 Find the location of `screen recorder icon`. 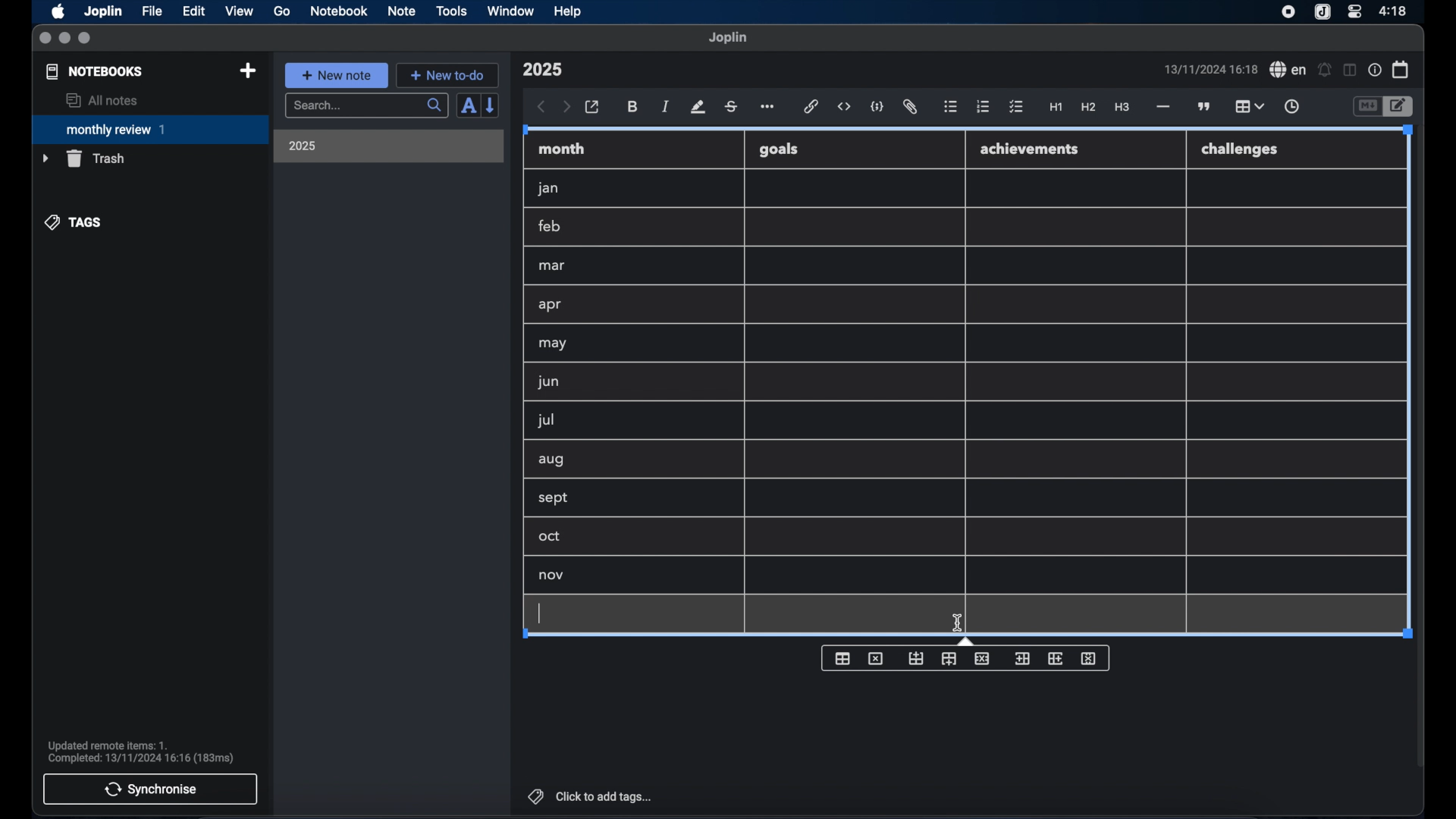

screen recorder icon is located at coordinates (1288, 12).